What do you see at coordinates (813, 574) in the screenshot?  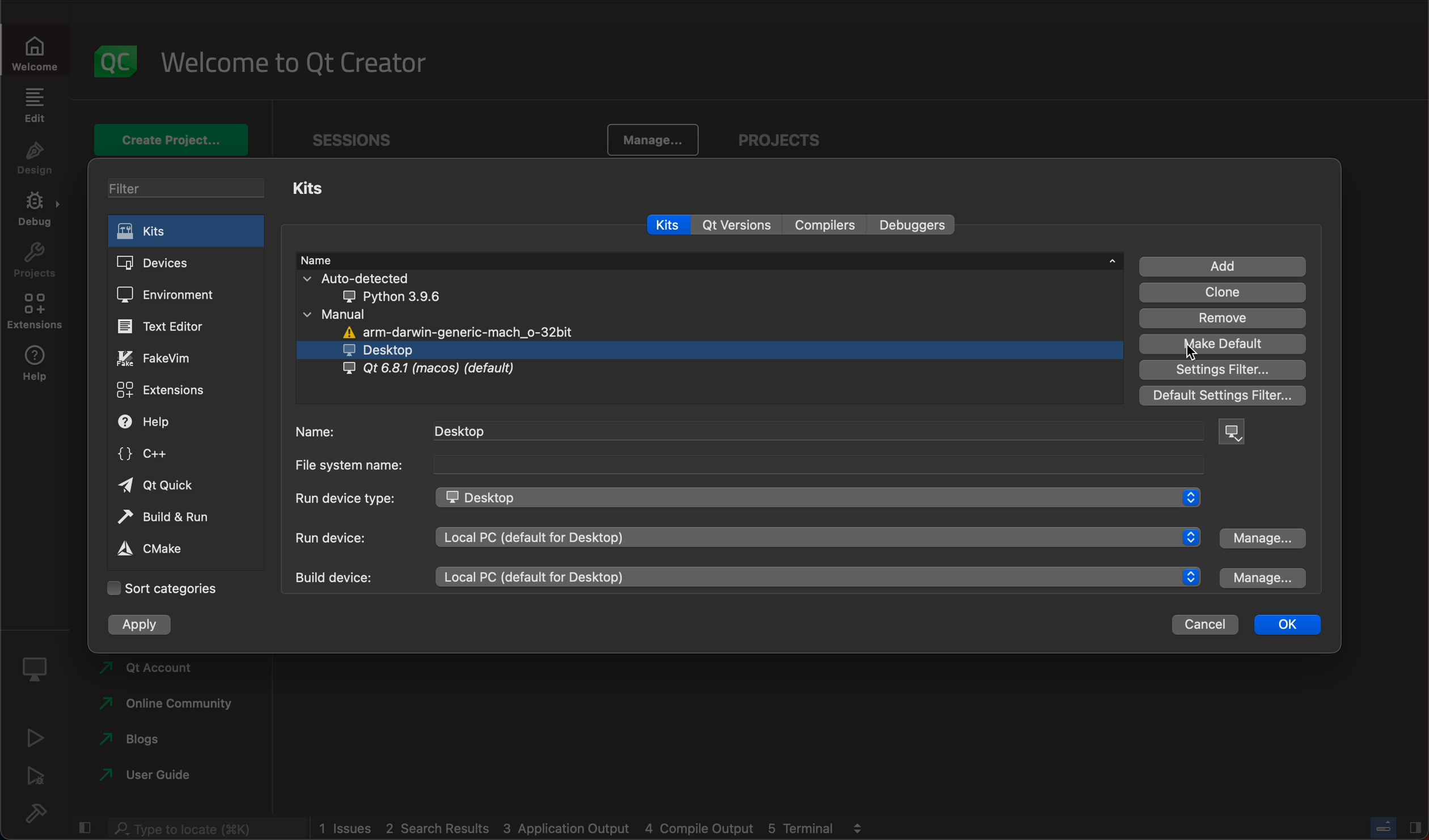 I see `local PC (default for desktop)` at bounding box center [813, 574].